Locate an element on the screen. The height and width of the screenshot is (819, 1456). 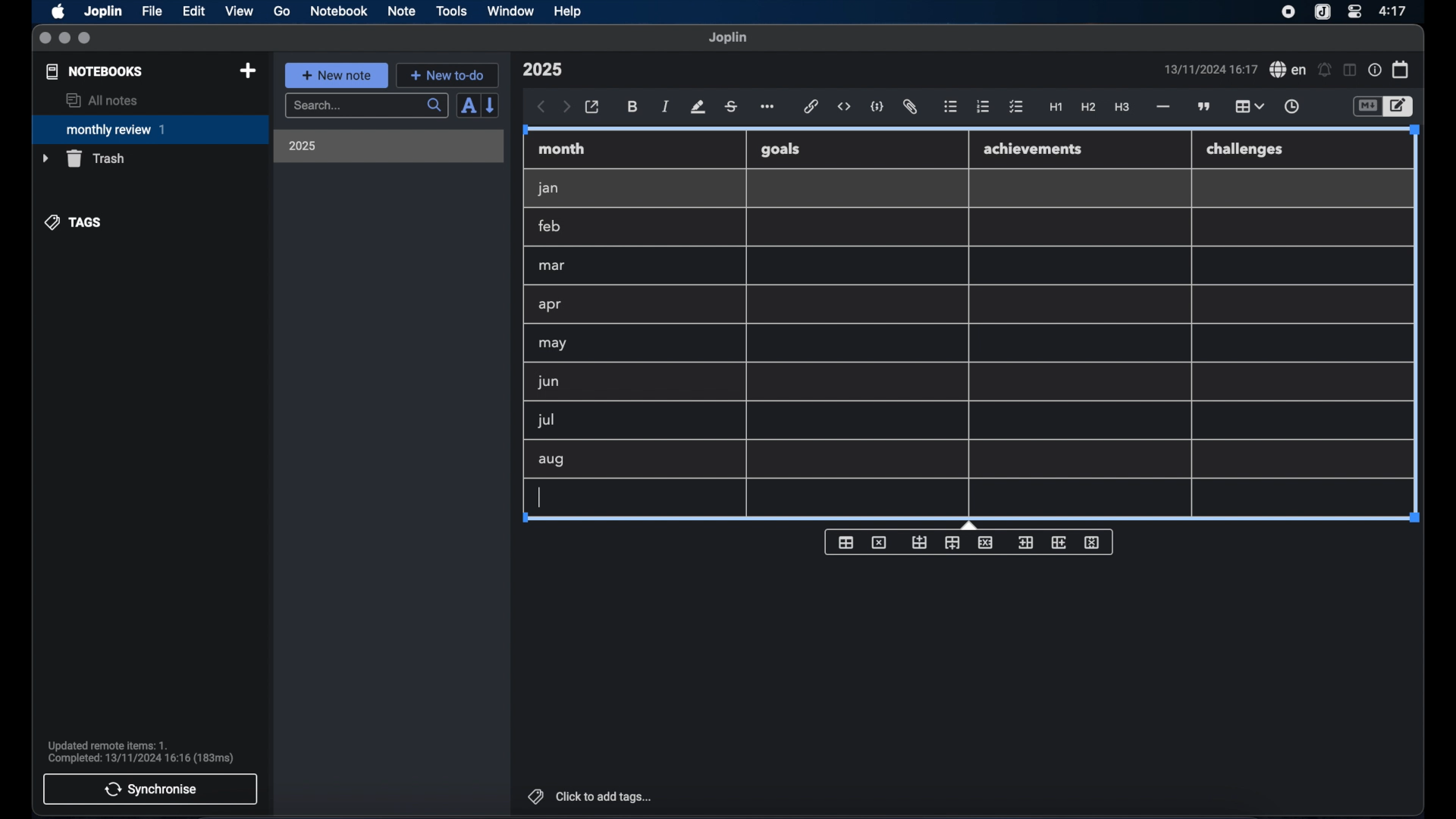
go is located at coordinates (282, 11).